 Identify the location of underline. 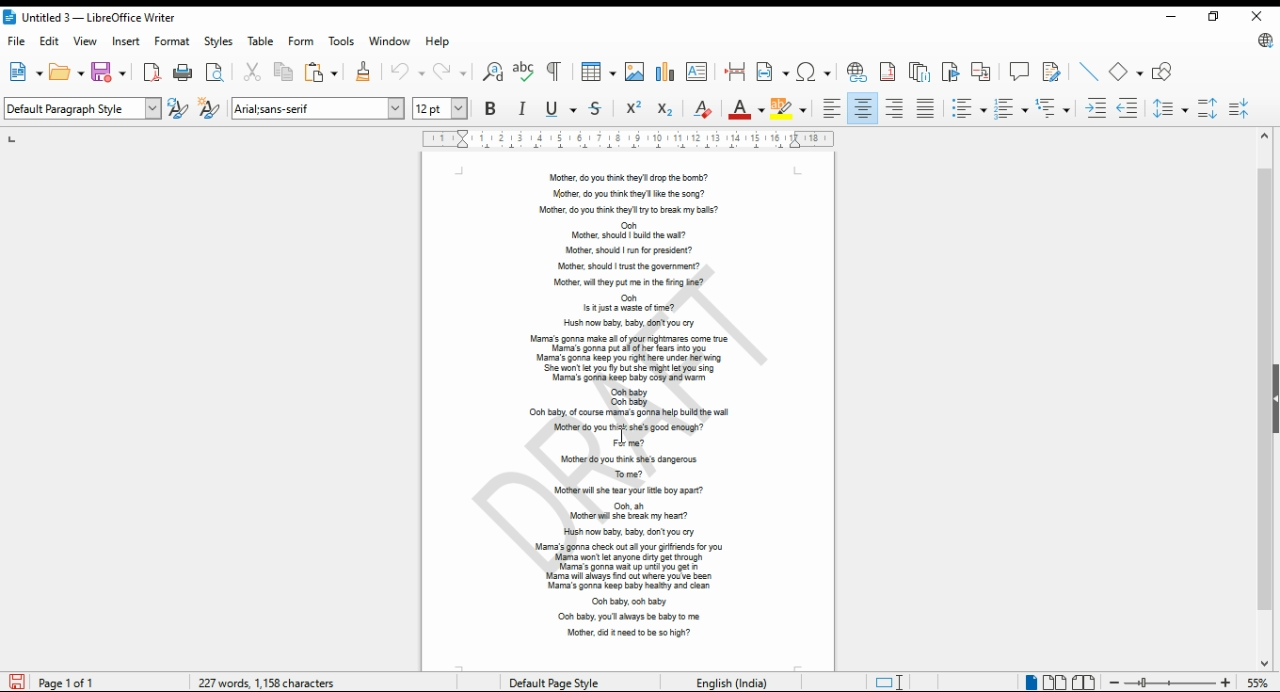
(558, 108).